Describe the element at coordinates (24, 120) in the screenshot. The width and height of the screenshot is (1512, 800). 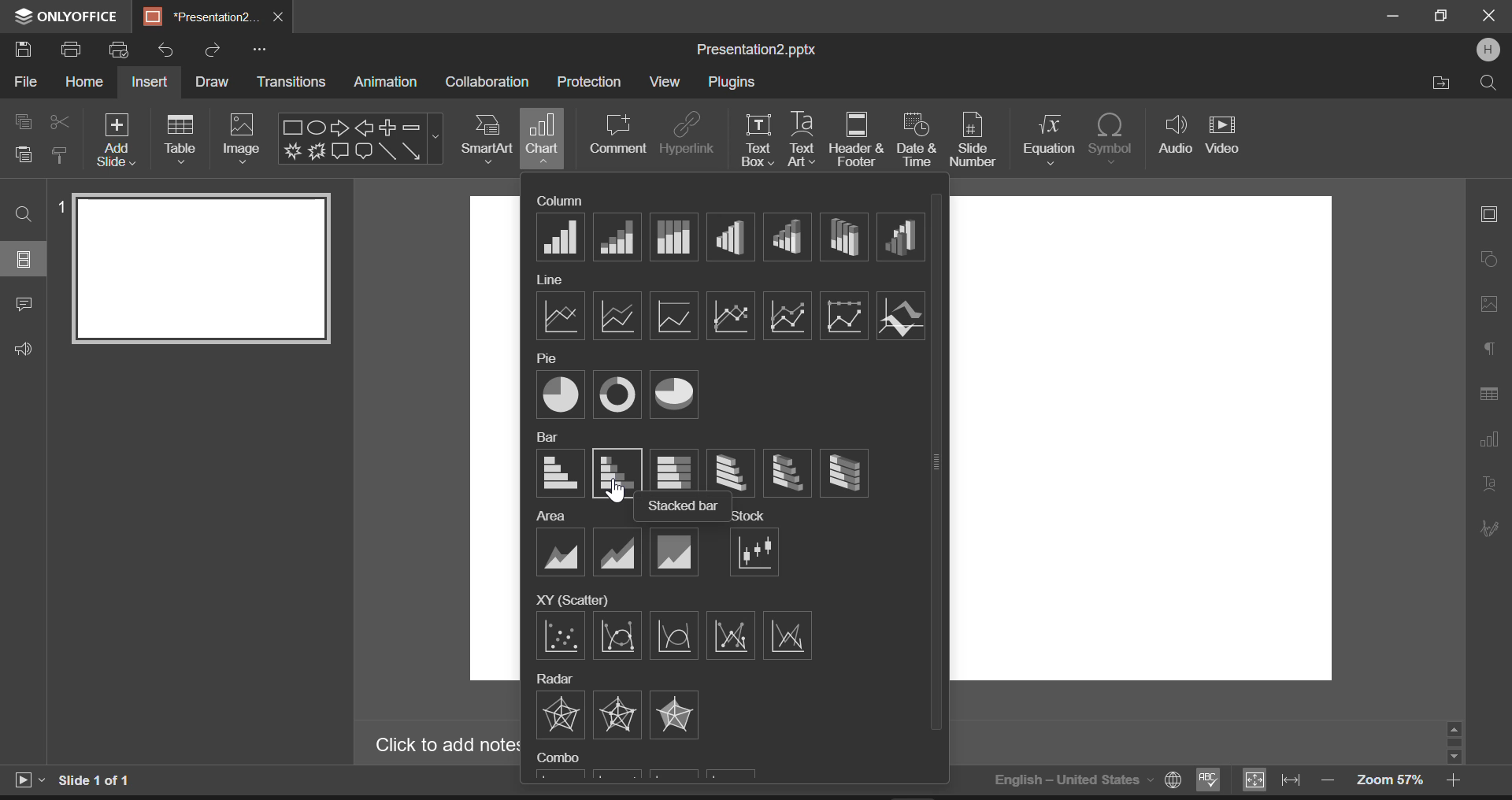
I see `Copy` at that location.